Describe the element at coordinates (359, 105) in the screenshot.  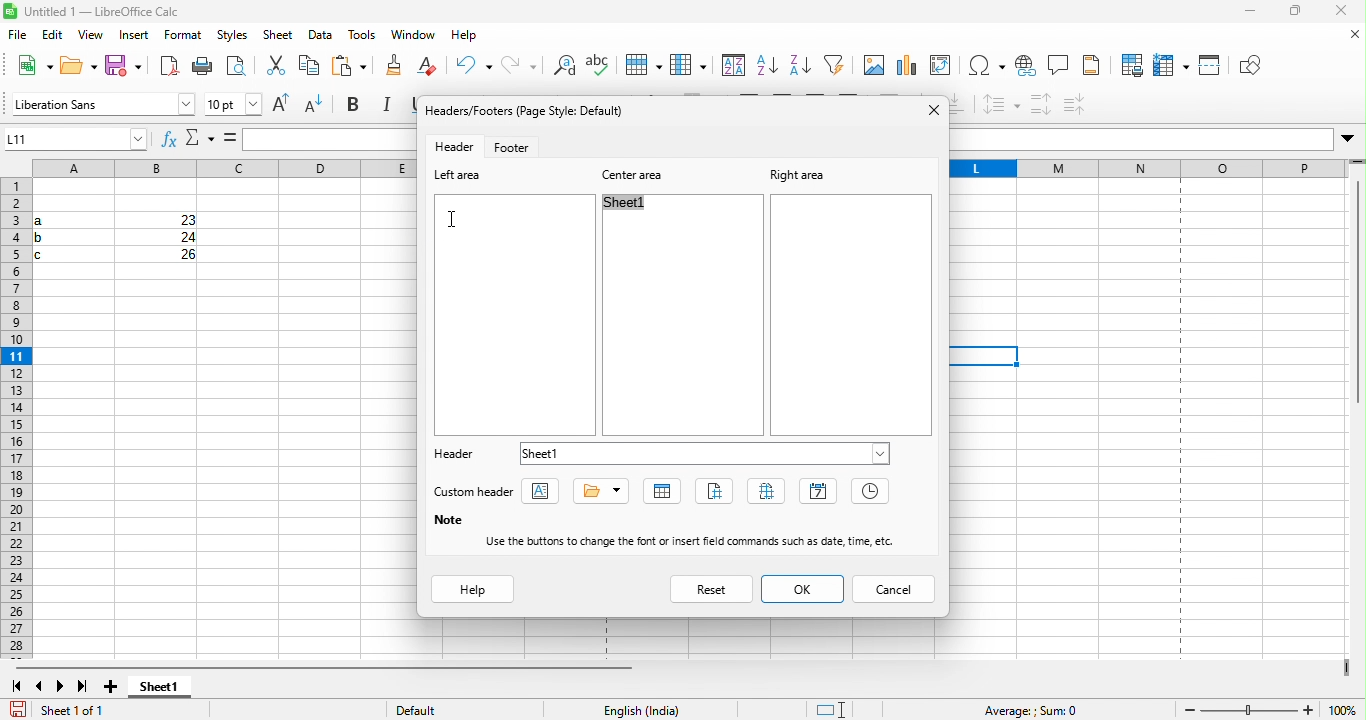
I see `bold` at that location.